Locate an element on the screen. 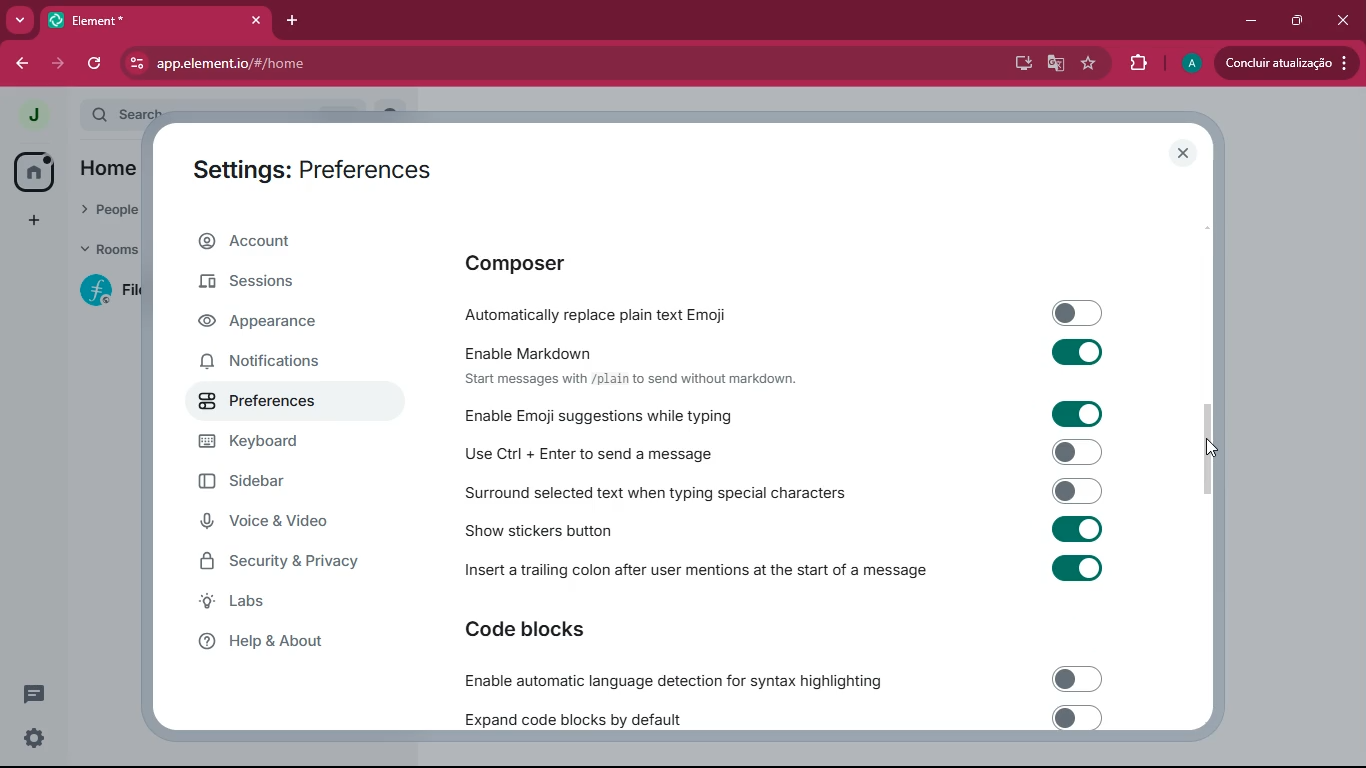 The width and height of the screenshot is (1366, 768). Enable automatic language detection for syntax highlighting  is located at coordinates (775, 679).